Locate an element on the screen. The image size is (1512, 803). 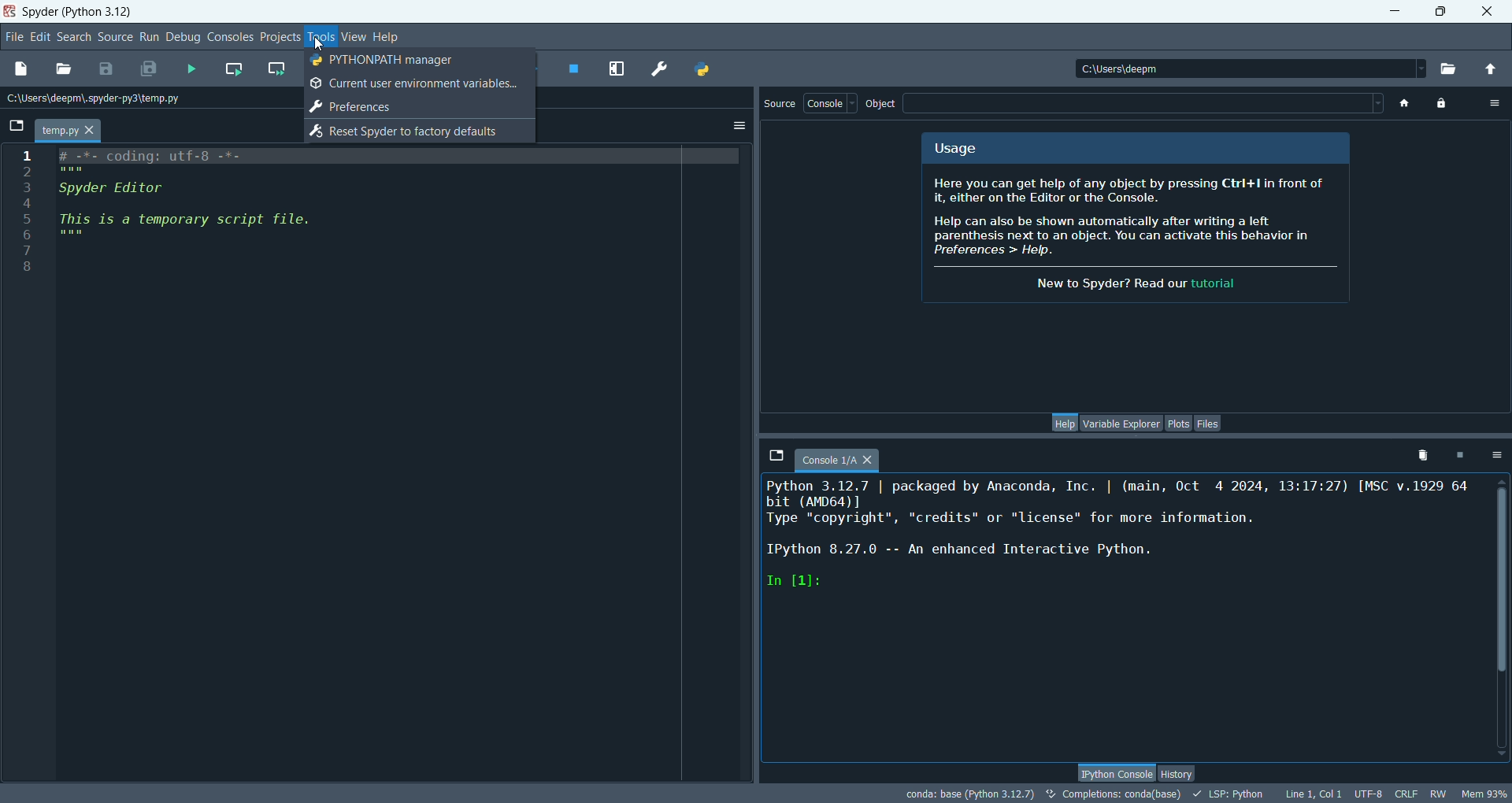
lock is located at coordinates (1442, 102).